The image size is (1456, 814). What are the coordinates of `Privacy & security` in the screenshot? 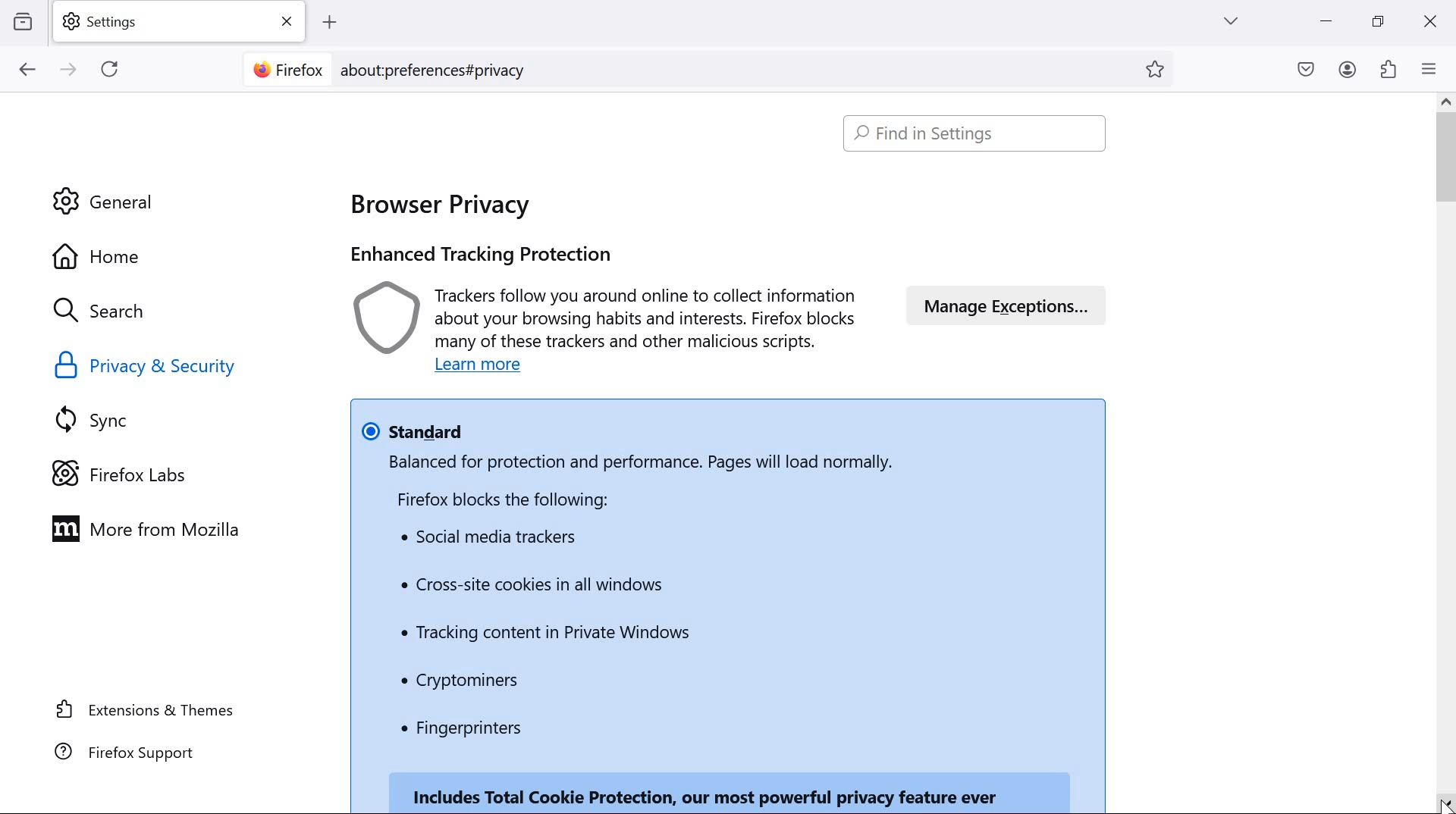 It's located at (149, 366).